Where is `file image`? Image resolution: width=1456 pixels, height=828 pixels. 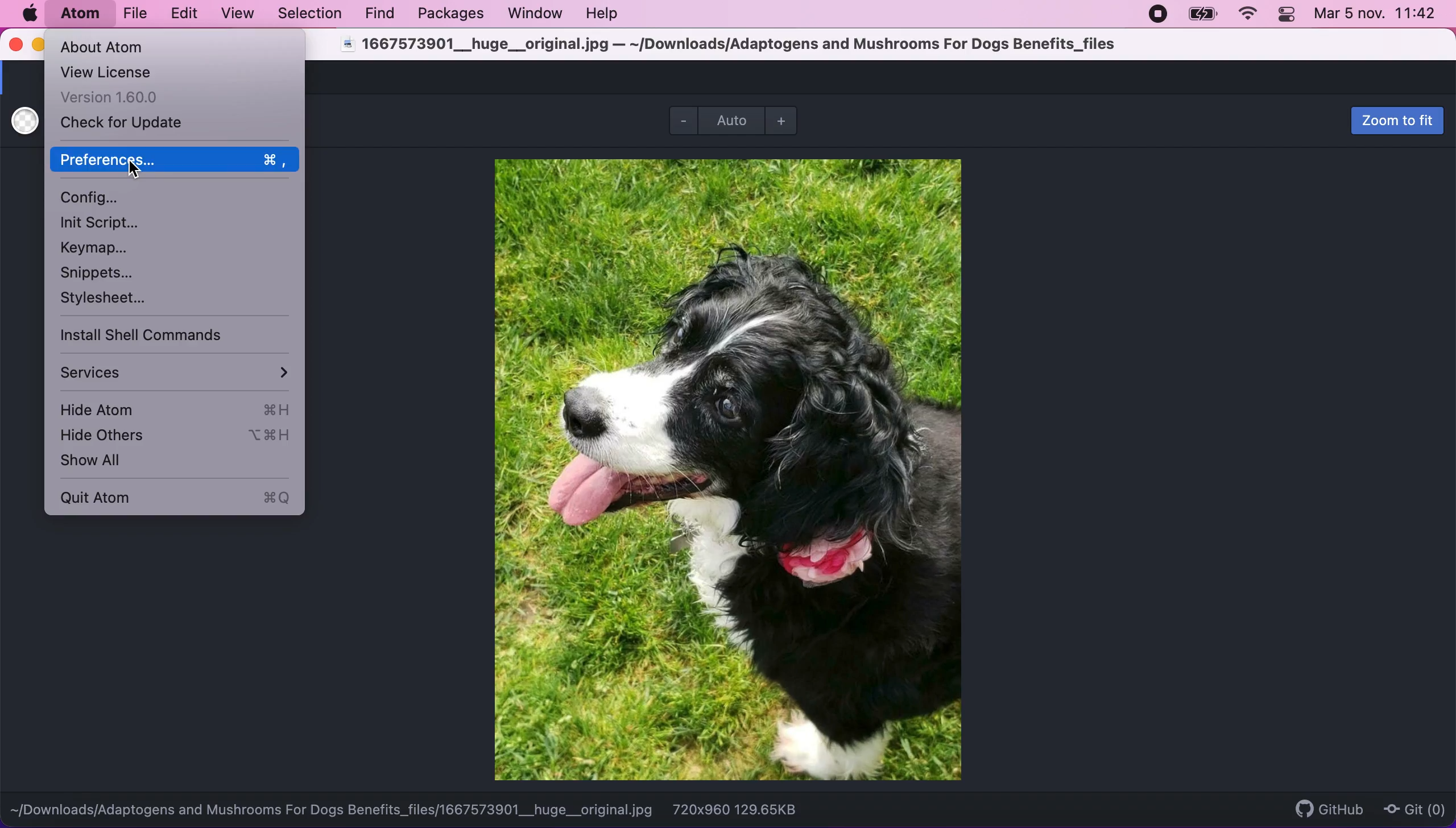 file image is located at coordinates (739, 467).